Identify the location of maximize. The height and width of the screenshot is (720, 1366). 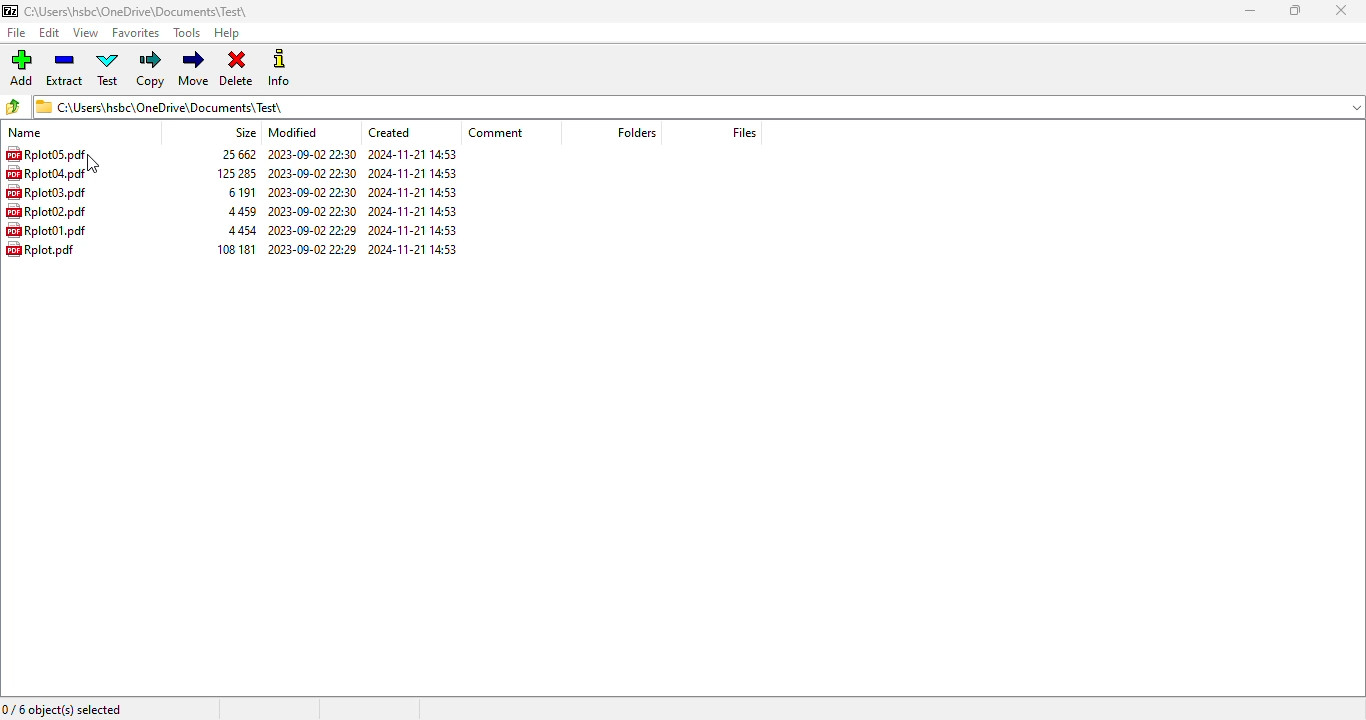
(1293, 10).